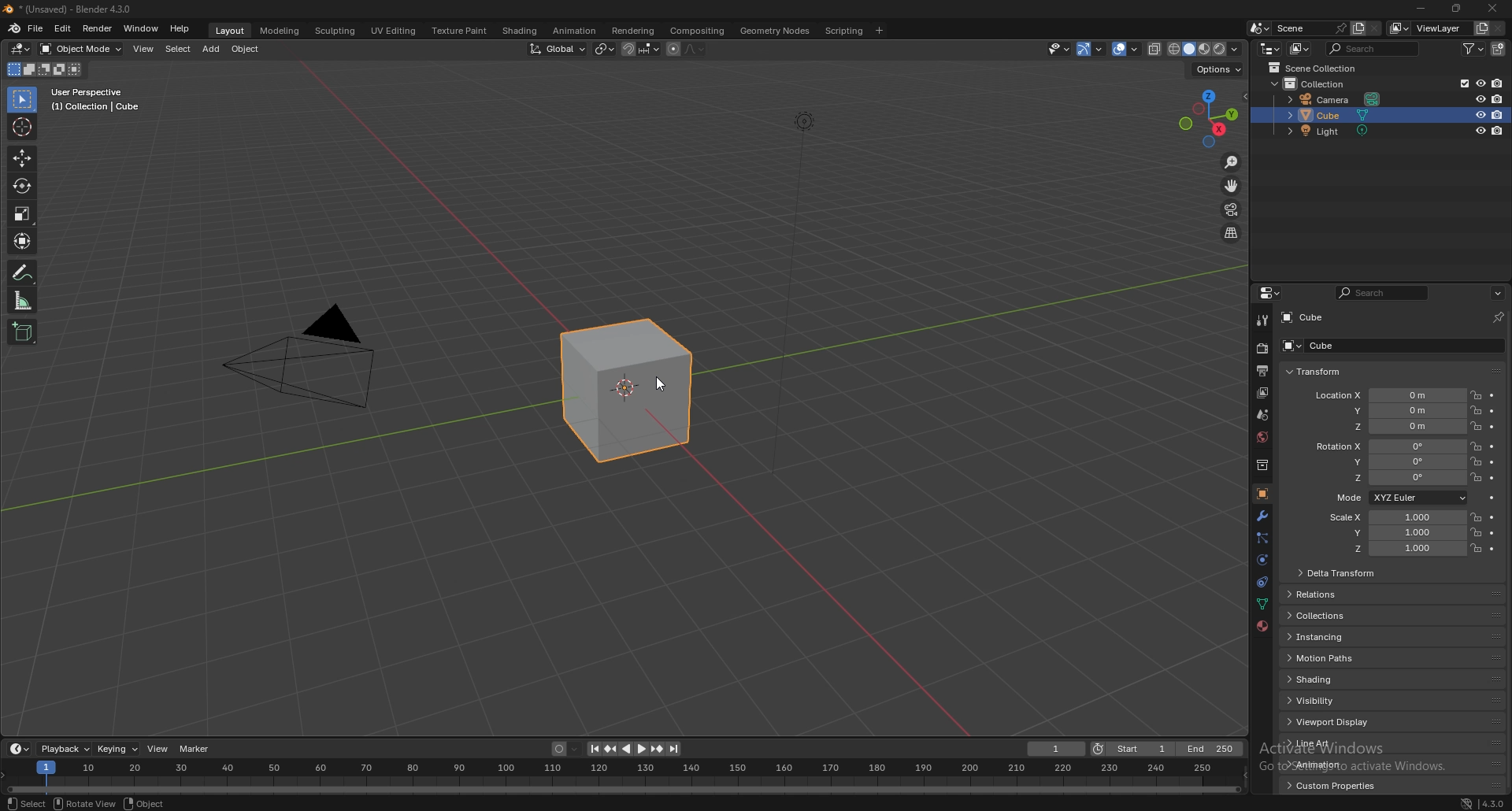 The height and width of the screenshot is (811, 1512). I want to click on animate property, so click(1493, 395).